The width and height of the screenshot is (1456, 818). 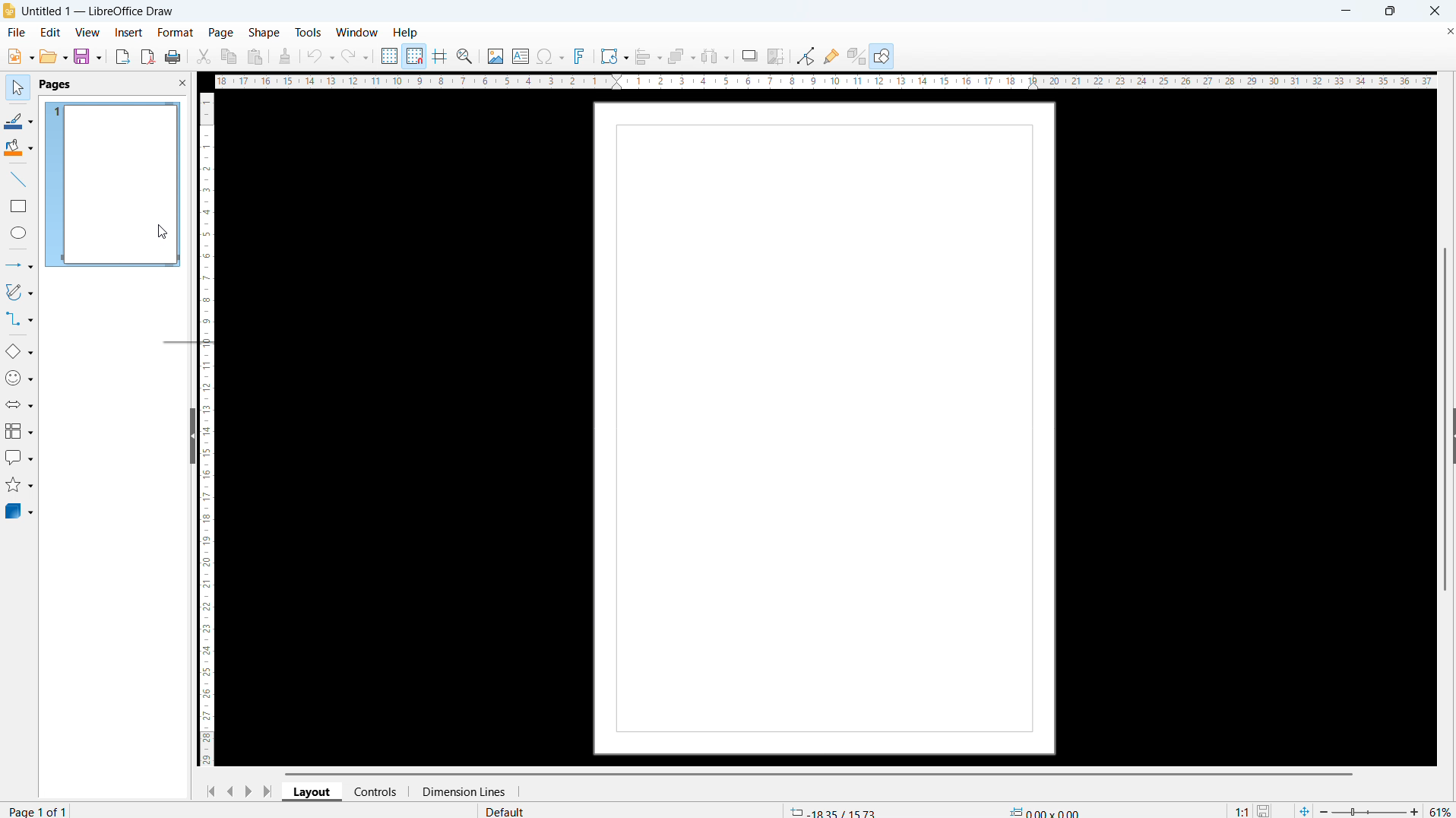 I want to click on help, so click(x=406, y=33).